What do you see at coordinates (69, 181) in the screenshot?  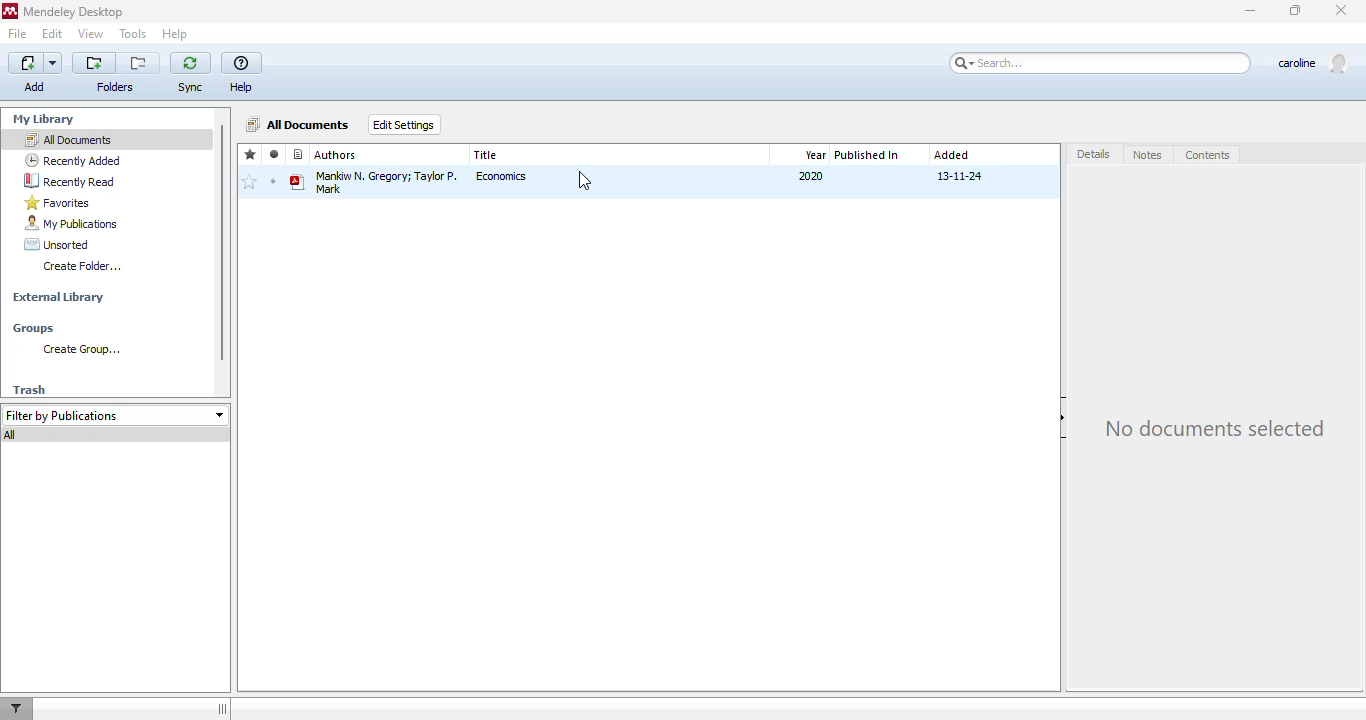 I see `recently read` at bounding box center [69, 181].